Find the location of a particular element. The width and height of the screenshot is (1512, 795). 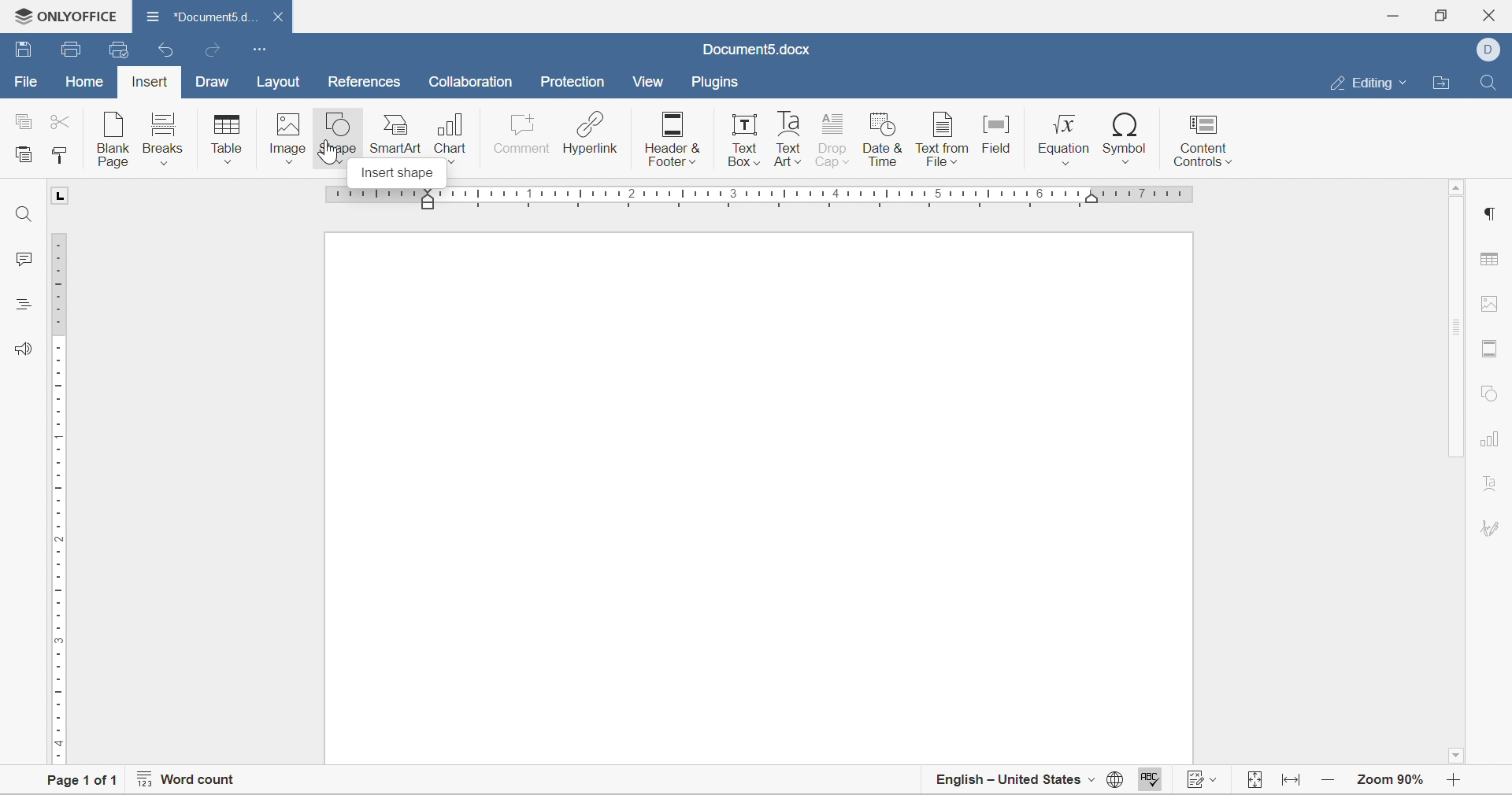

blank page is located at coordinates (114, 139).